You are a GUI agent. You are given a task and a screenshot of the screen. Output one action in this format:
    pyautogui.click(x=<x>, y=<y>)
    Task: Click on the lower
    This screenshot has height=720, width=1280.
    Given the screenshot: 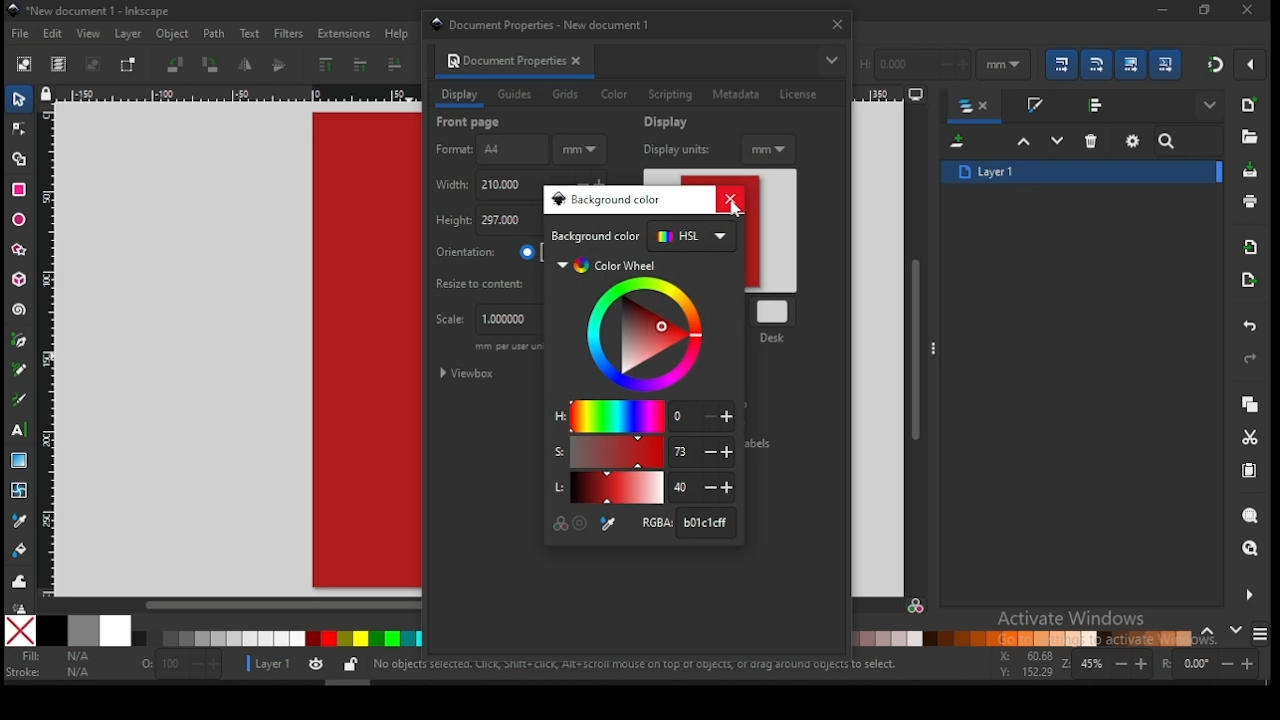 What is the action you would take?
    pyautogui.click(x=395, y=65)
    